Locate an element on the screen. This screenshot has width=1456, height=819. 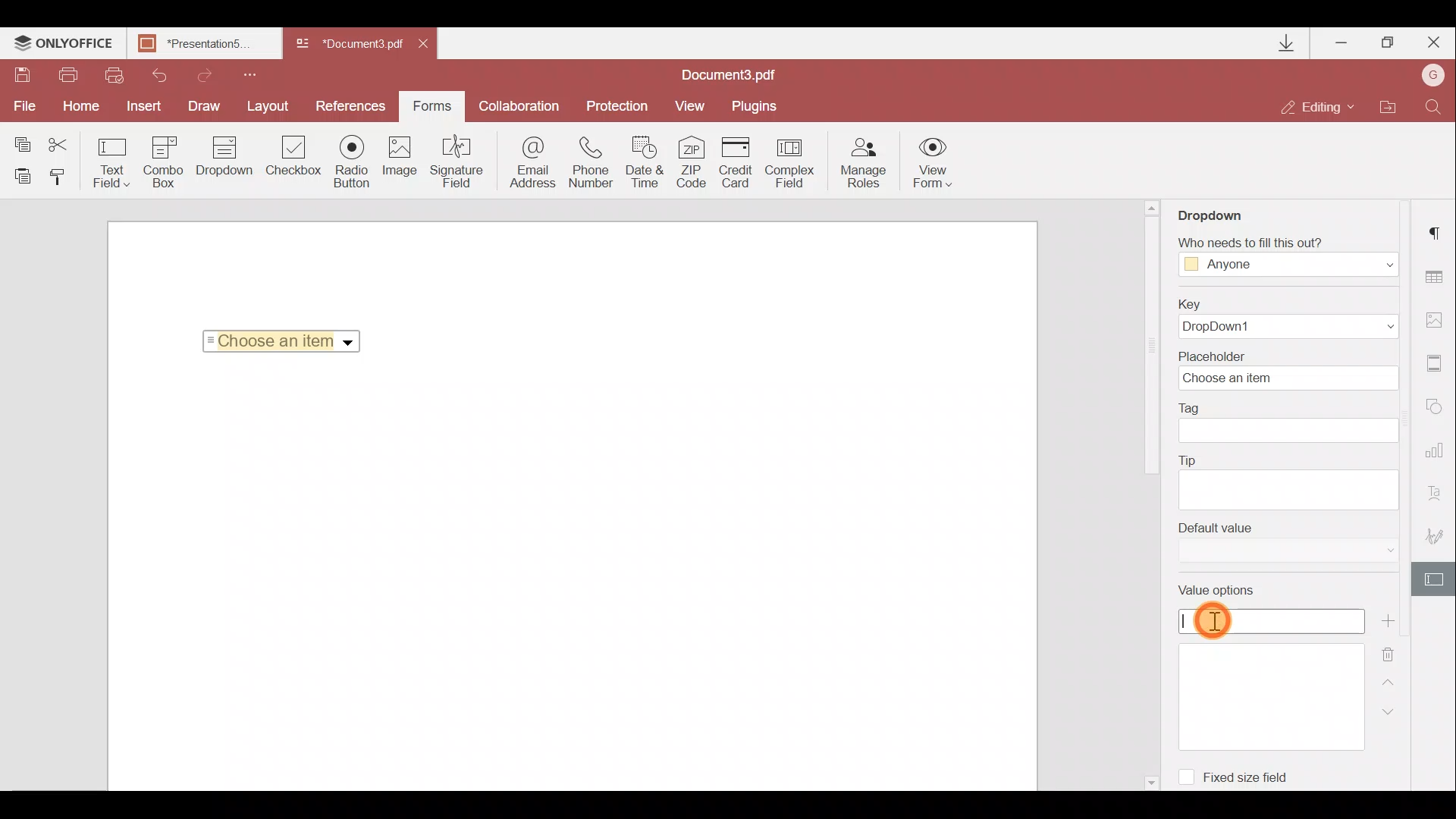
Document3.pdf is located at coordinates (349, 45).